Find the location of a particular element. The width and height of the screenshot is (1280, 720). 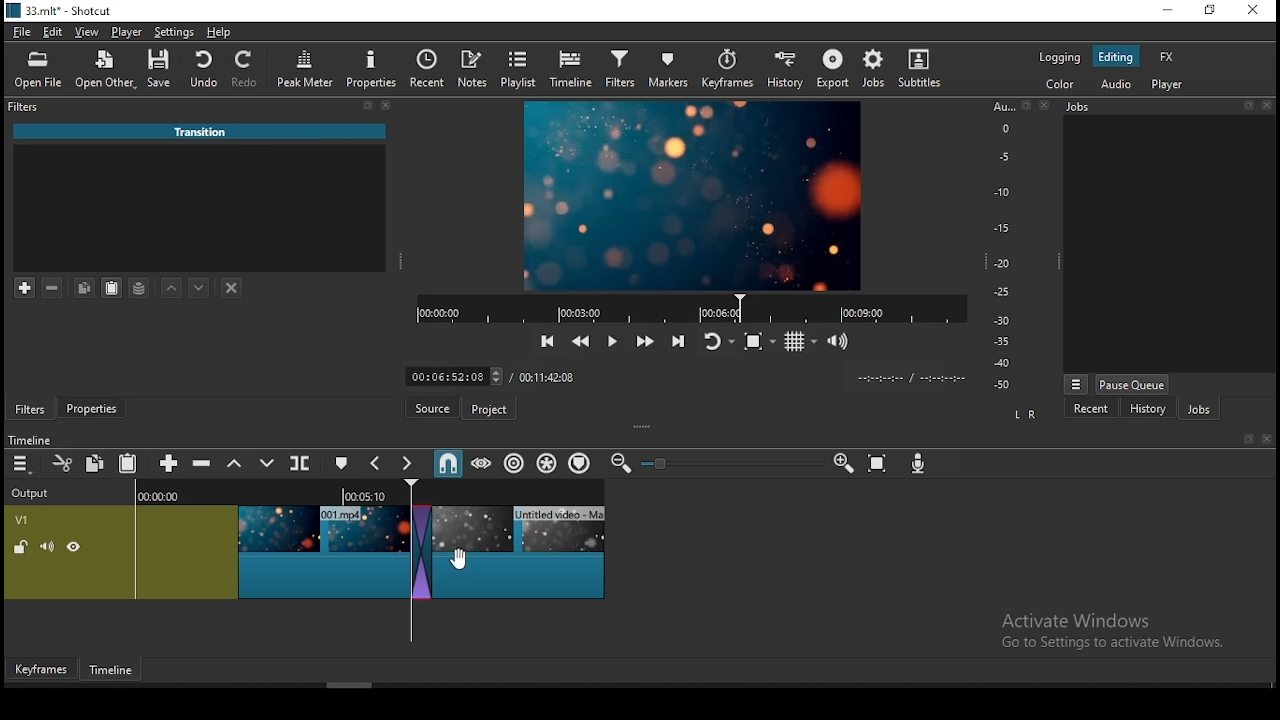

play/pause is located at coordinates (611, 338).